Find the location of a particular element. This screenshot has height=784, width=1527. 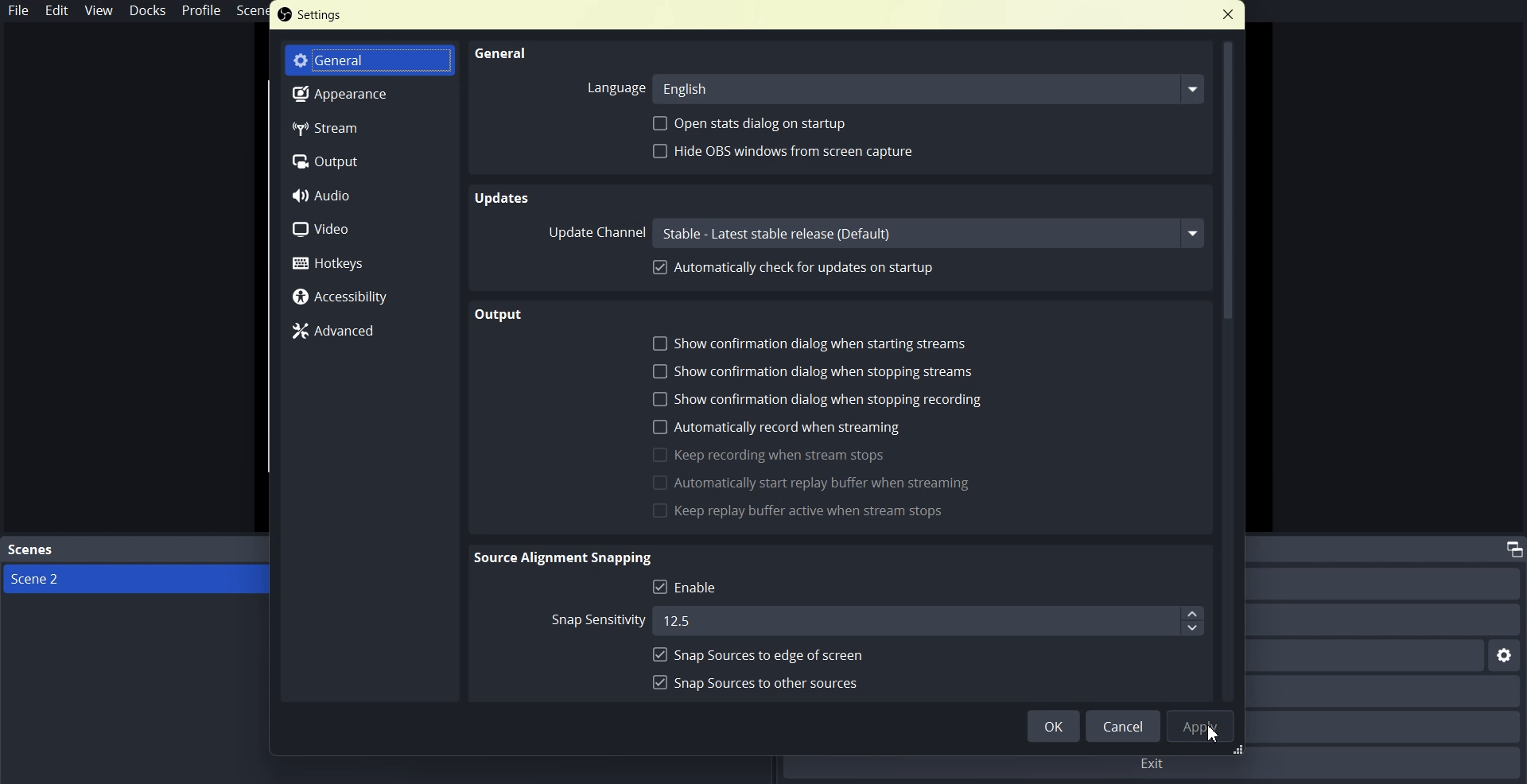

12.5 is located at coordinates (926, 619).